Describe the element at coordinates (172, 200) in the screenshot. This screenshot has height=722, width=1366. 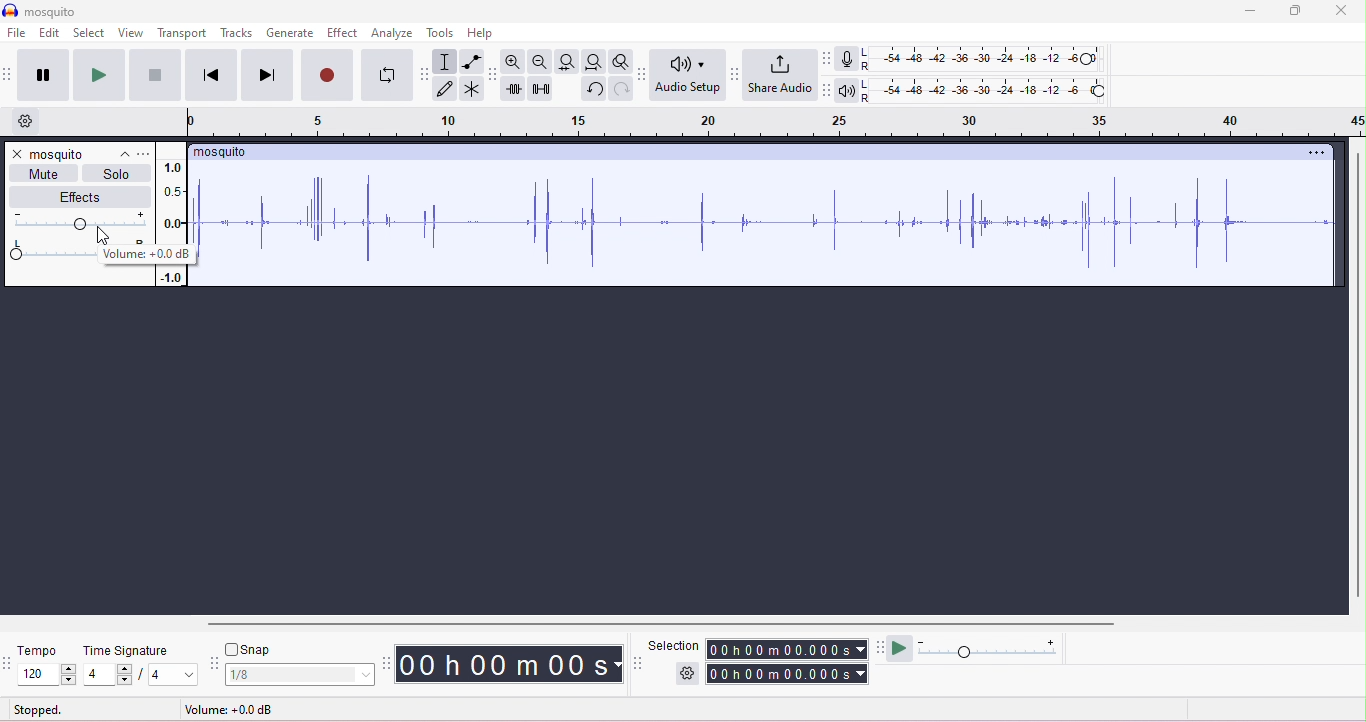
I see `amplitude` at that location.